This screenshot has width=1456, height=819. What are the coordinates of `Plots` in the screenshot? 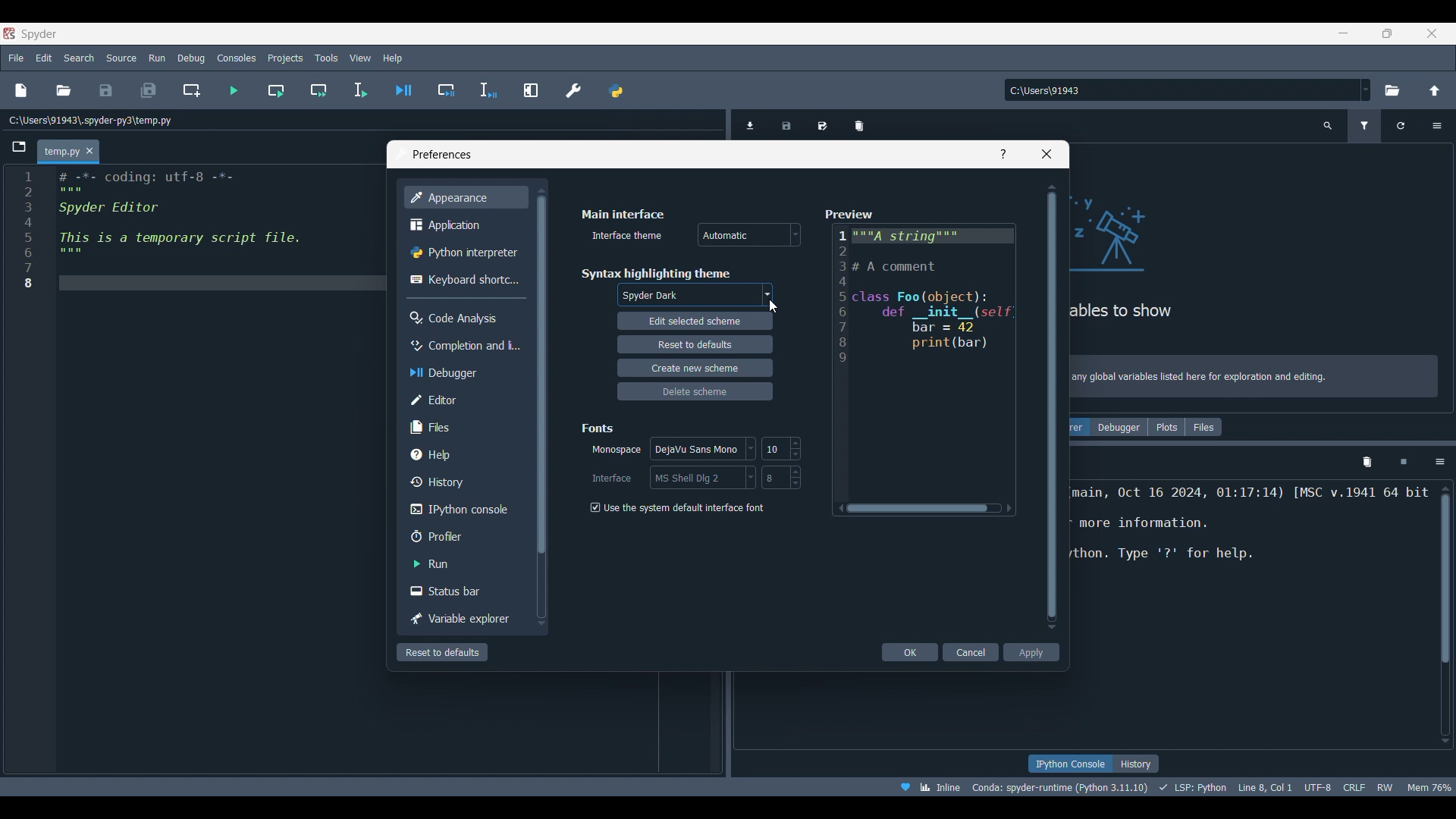 It's located at (1166, 427).